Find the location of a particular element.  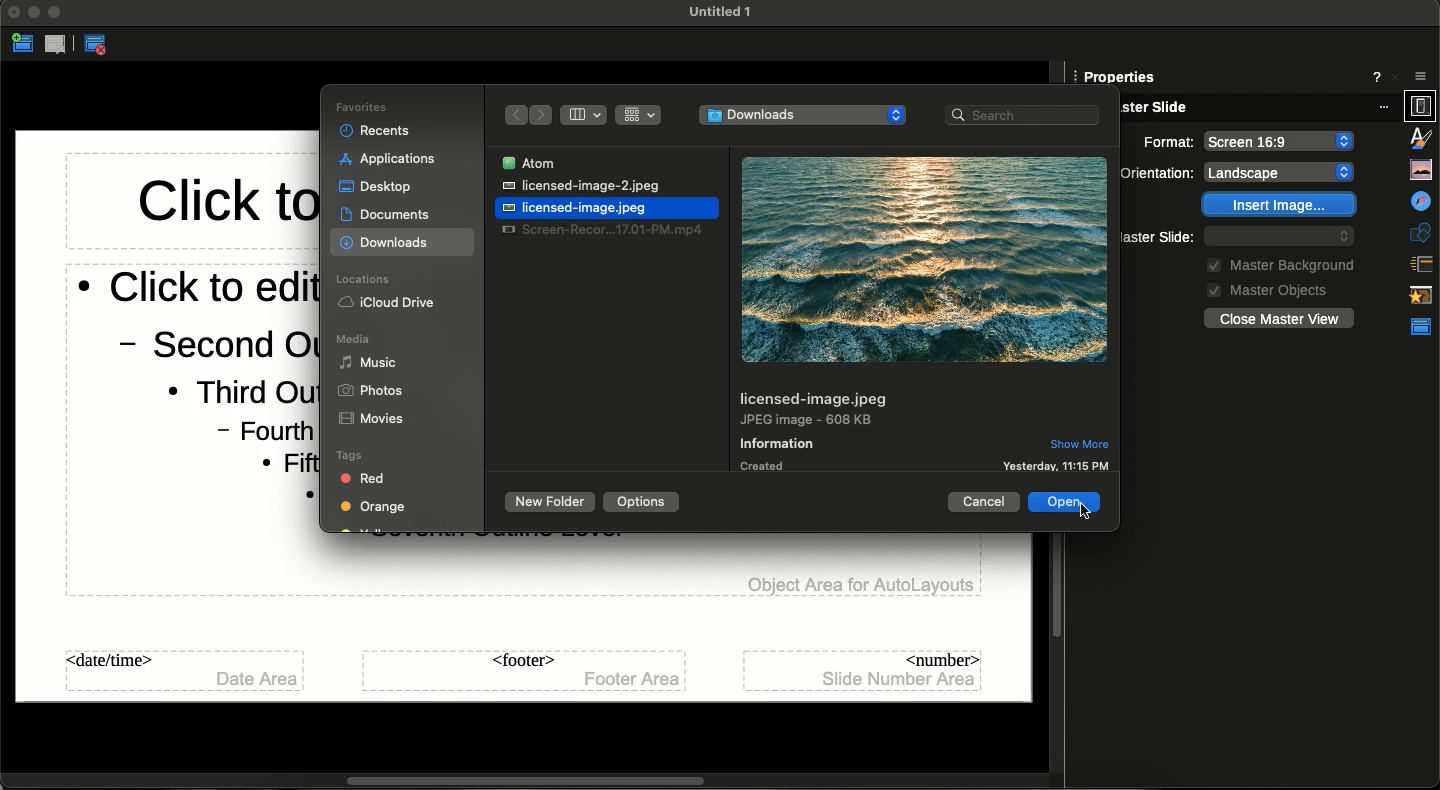

Close master view is located at coordinates (1278, 317).